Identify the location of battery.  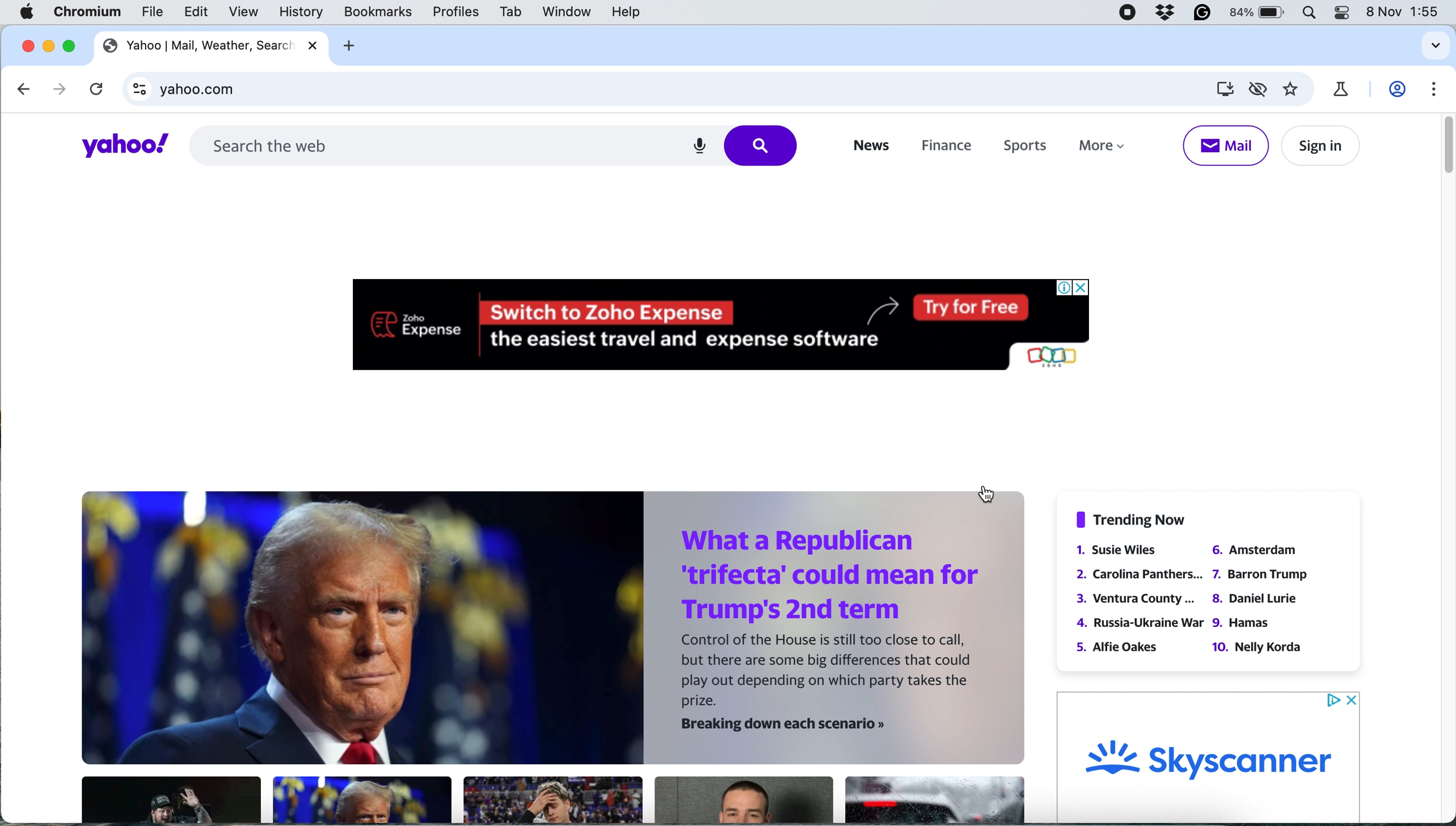
(1257, 12).